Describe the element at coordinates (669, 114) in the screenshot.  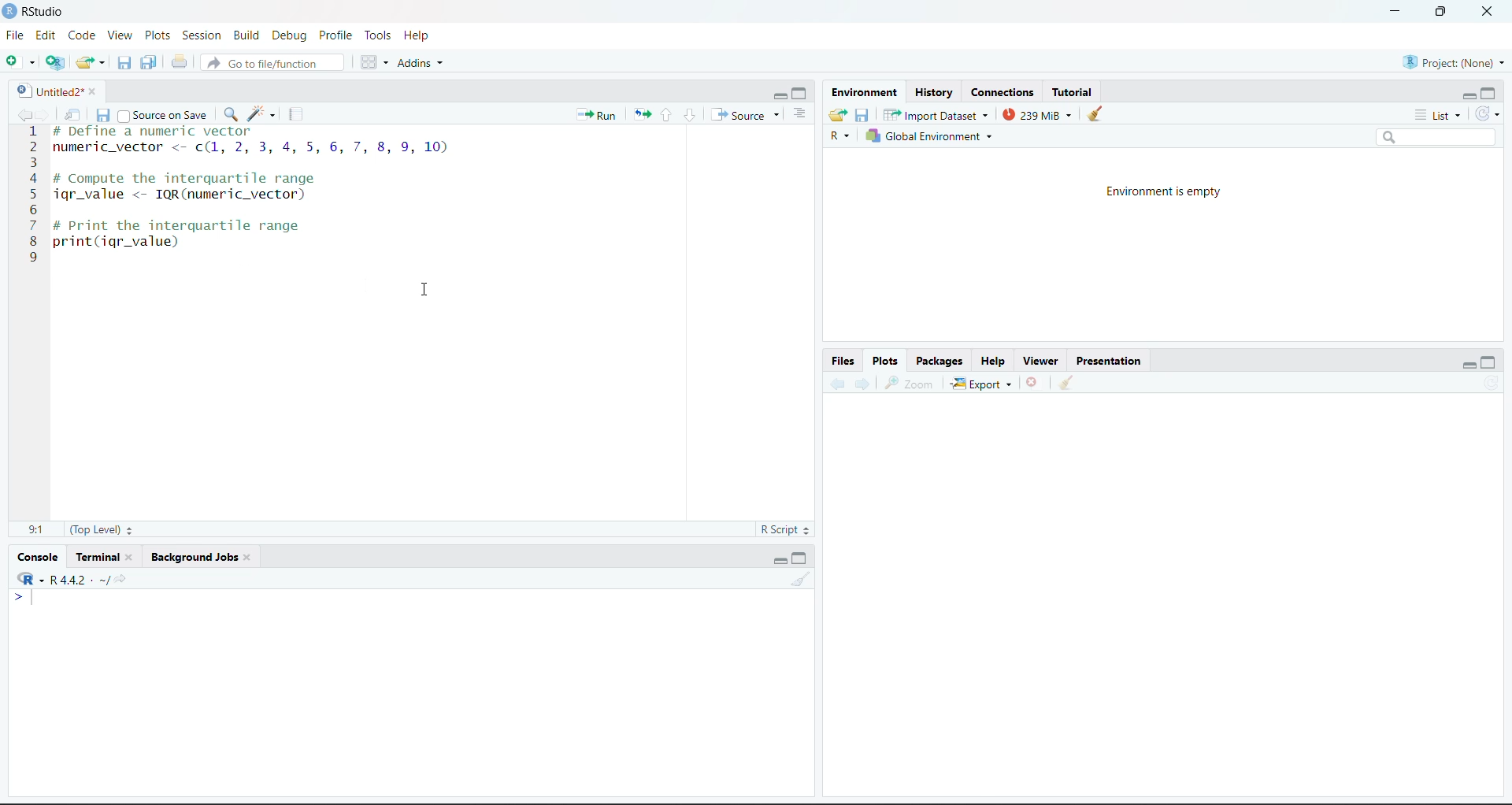
I see `Go to previous section/chunk (Ctrl + PgUp)` at that location.